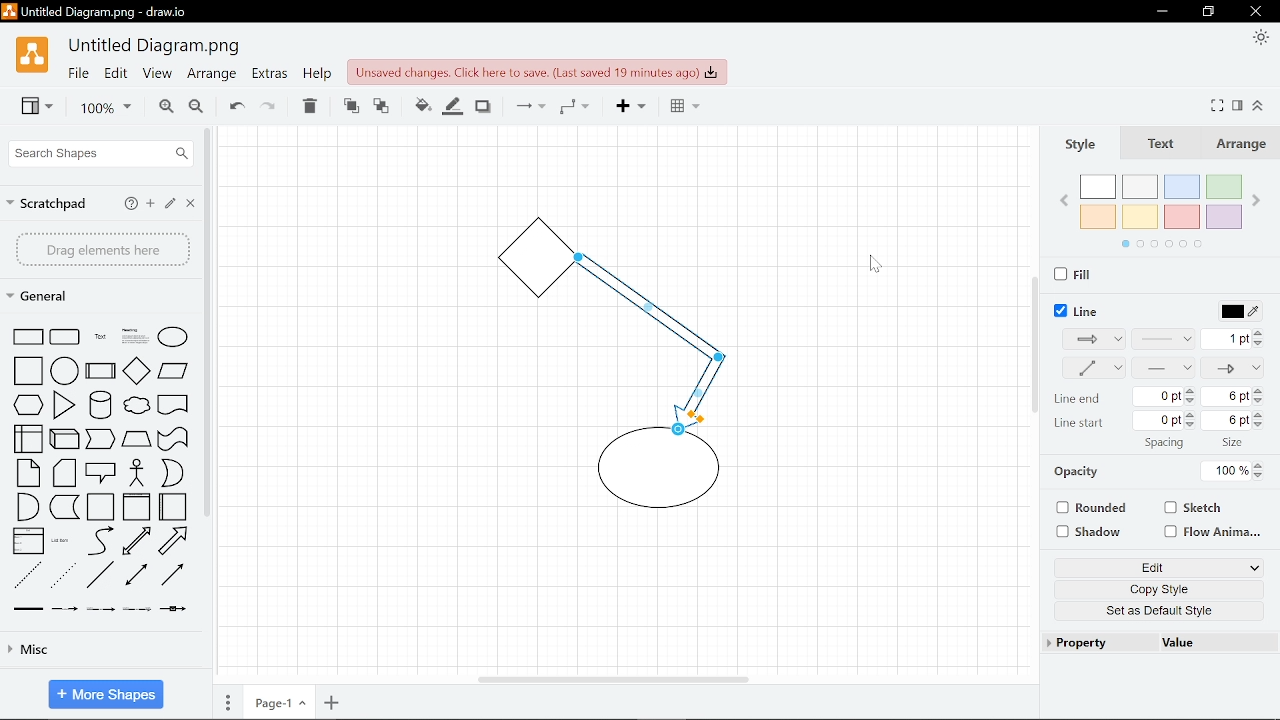 This screenshot has width=1280, height=720. I want to click on shape, so click(63, 542).